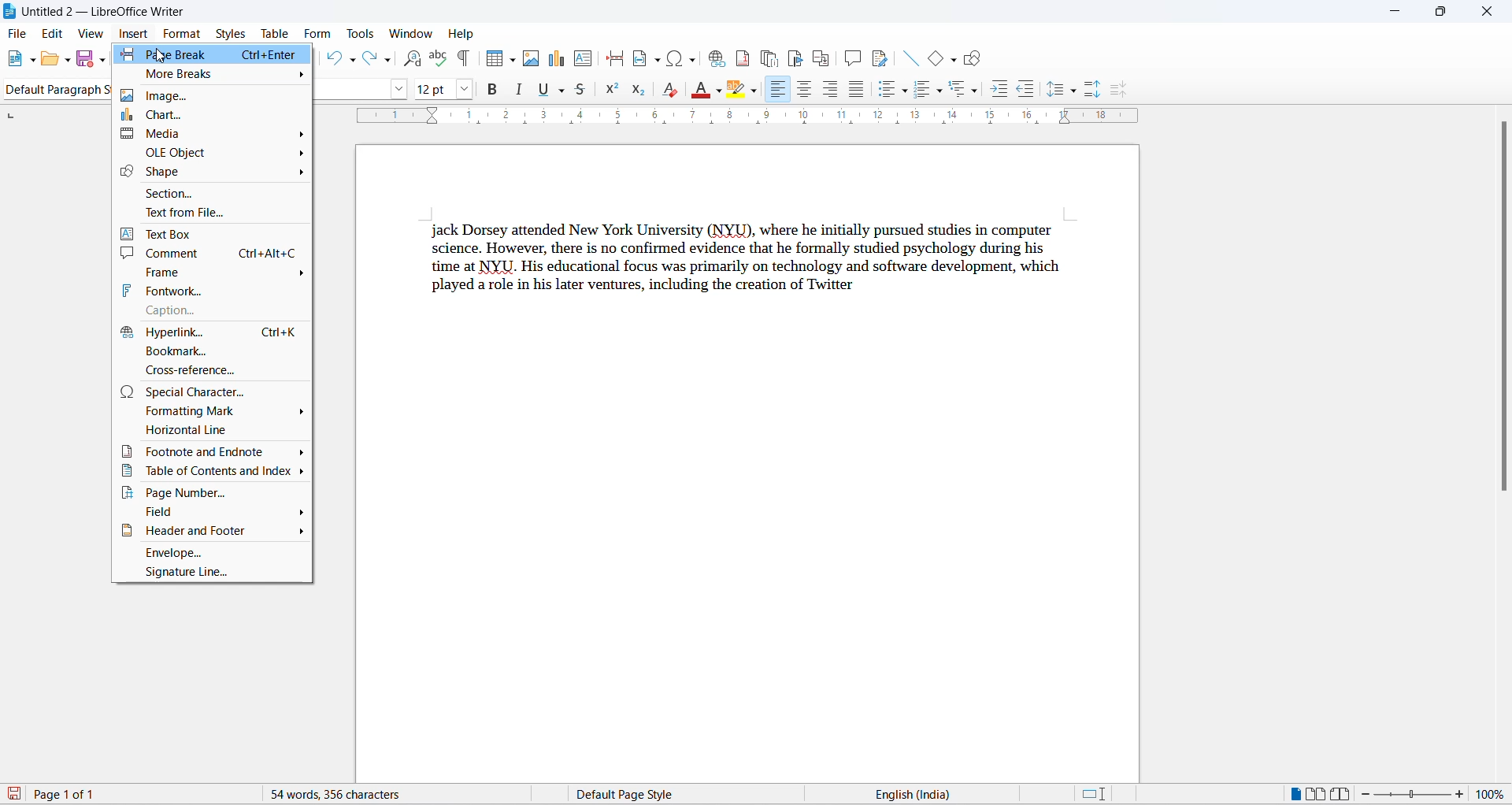  Describe the element at coordinates (212, 172) in the screenshot. I see `shape` at that location.